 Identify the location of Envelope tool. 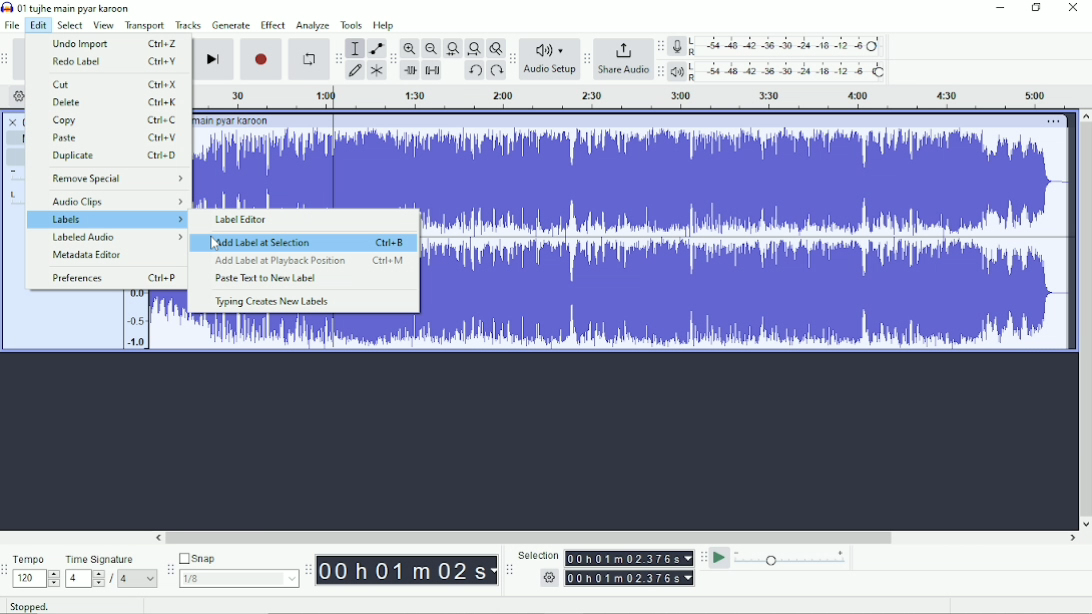
(375, 48).